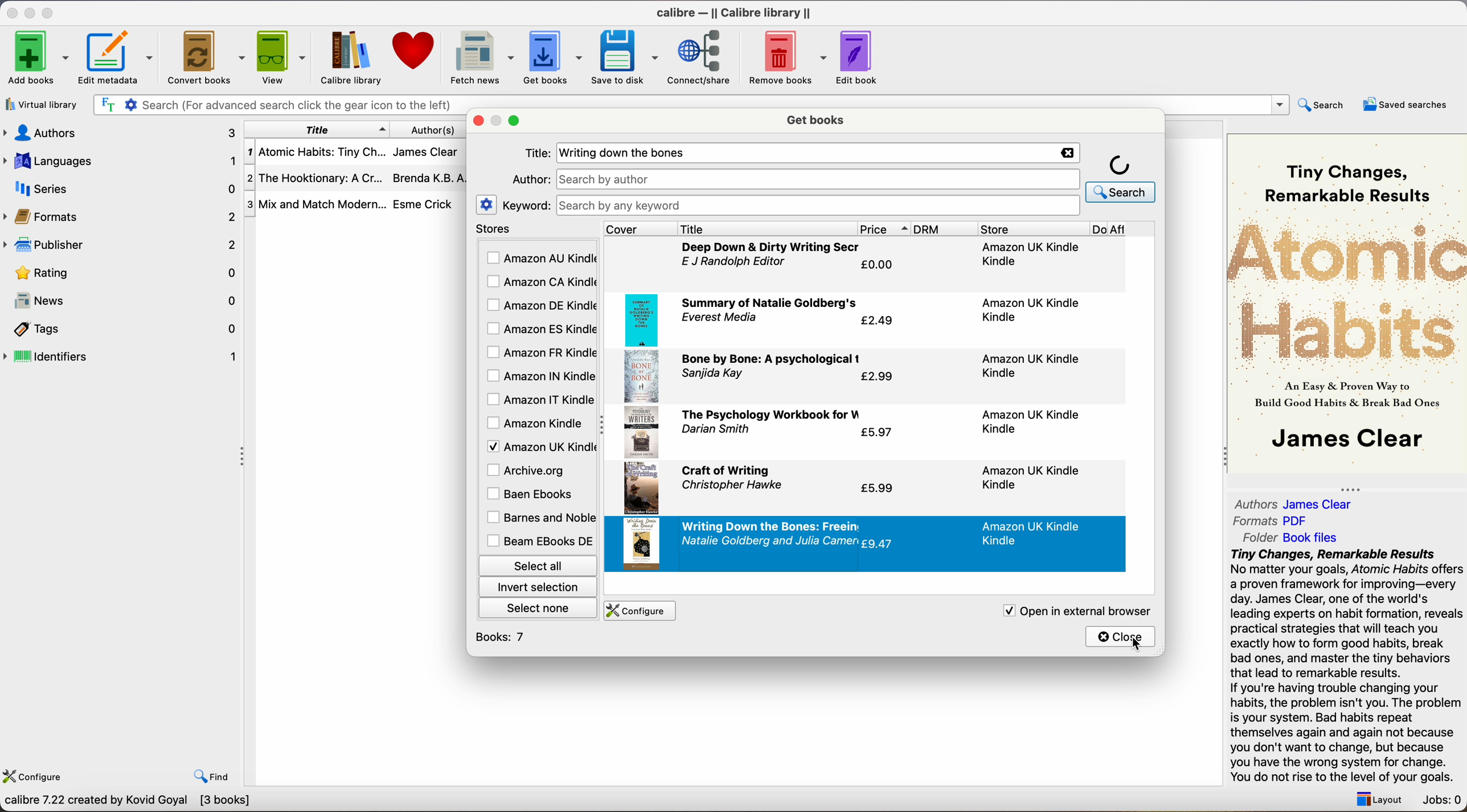  What do you see at coordinates (121, 188) in the screenshot?
I see `series` at bounding box center [121, 188].